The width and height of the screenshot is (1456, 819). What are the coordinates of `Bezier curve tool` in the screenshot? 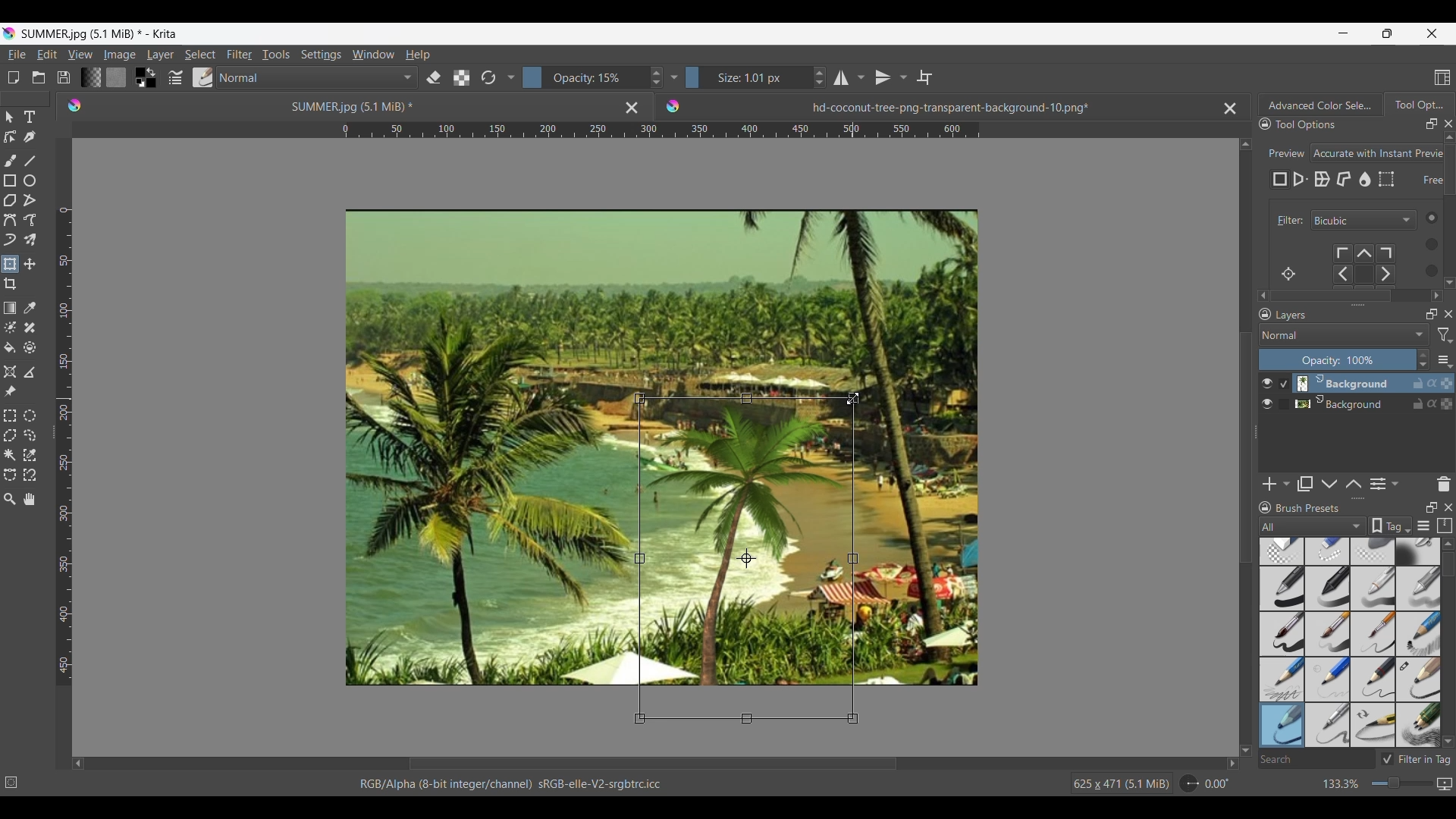 It's located at (10, 220).